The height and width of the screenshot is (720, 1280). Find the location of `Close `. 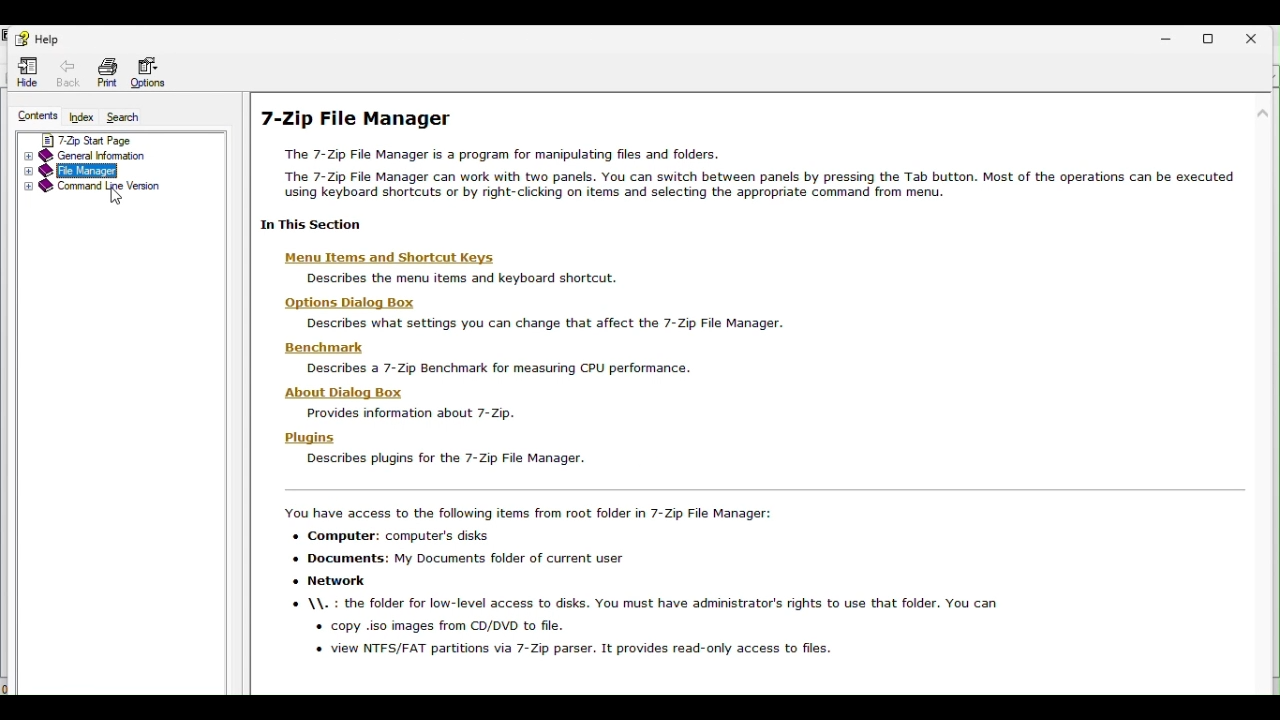

Close  is located at coordinates (1259, 34).